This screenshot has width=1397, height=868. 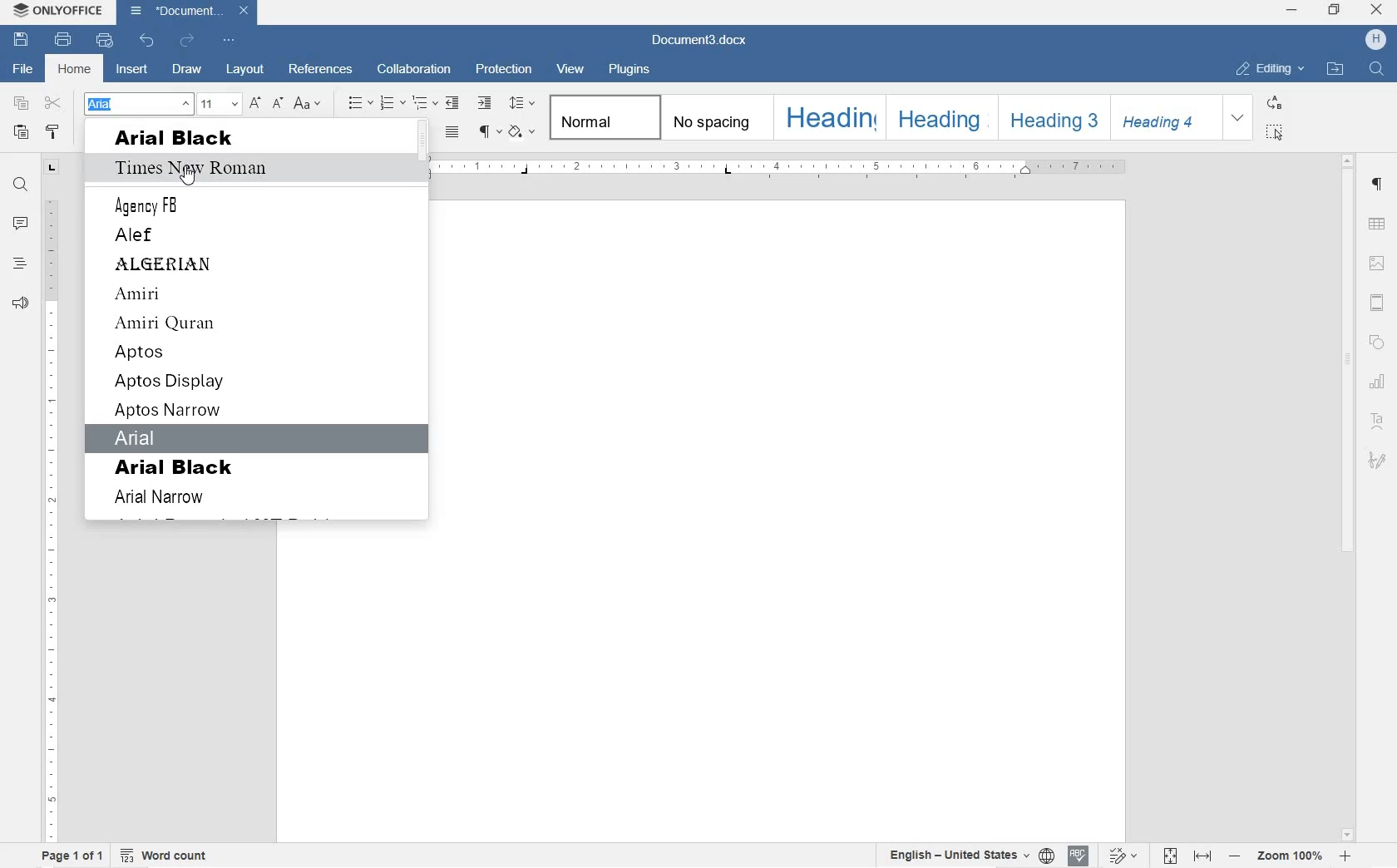 What do you see at coordinates (155, 205) in the screenshot?
I see `Agency FB` at bounding box center [155, 205].